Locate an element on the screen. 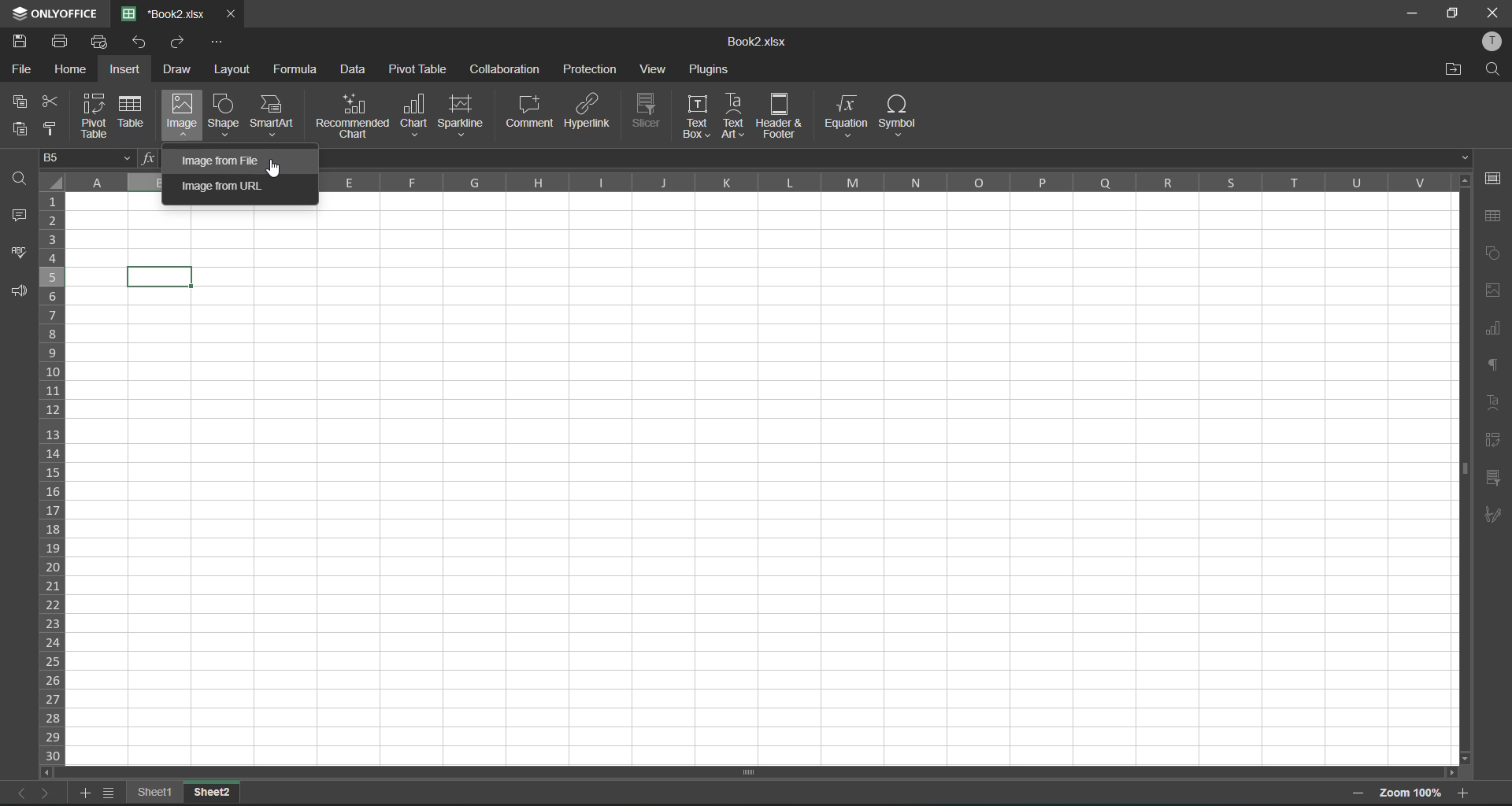 This screenshot has width=1512, height=806. copy style is located at coordinates (57, 128).